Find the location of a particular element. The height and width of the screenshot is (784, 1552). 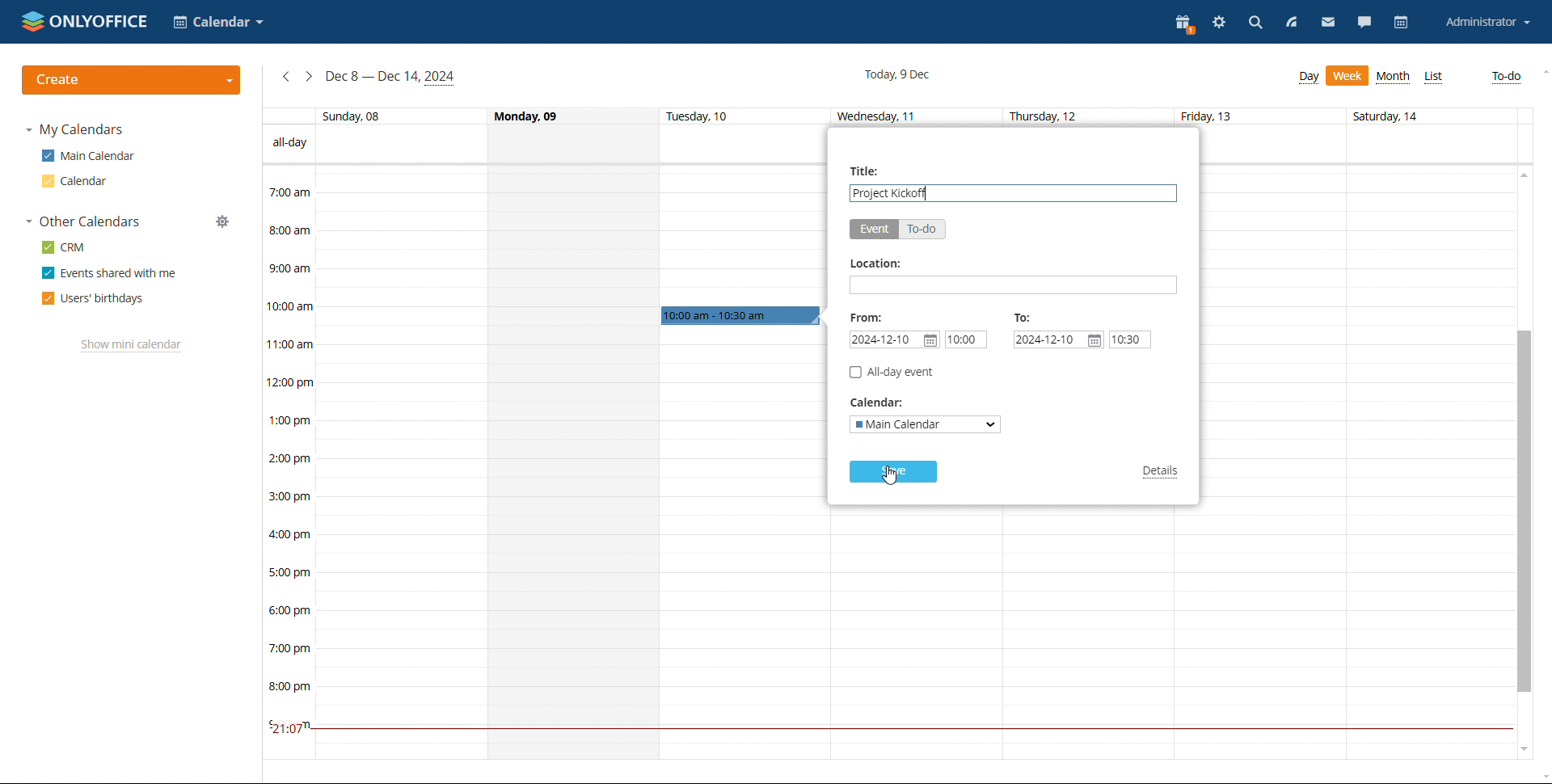

To: is located at coordinates (1023, 317).